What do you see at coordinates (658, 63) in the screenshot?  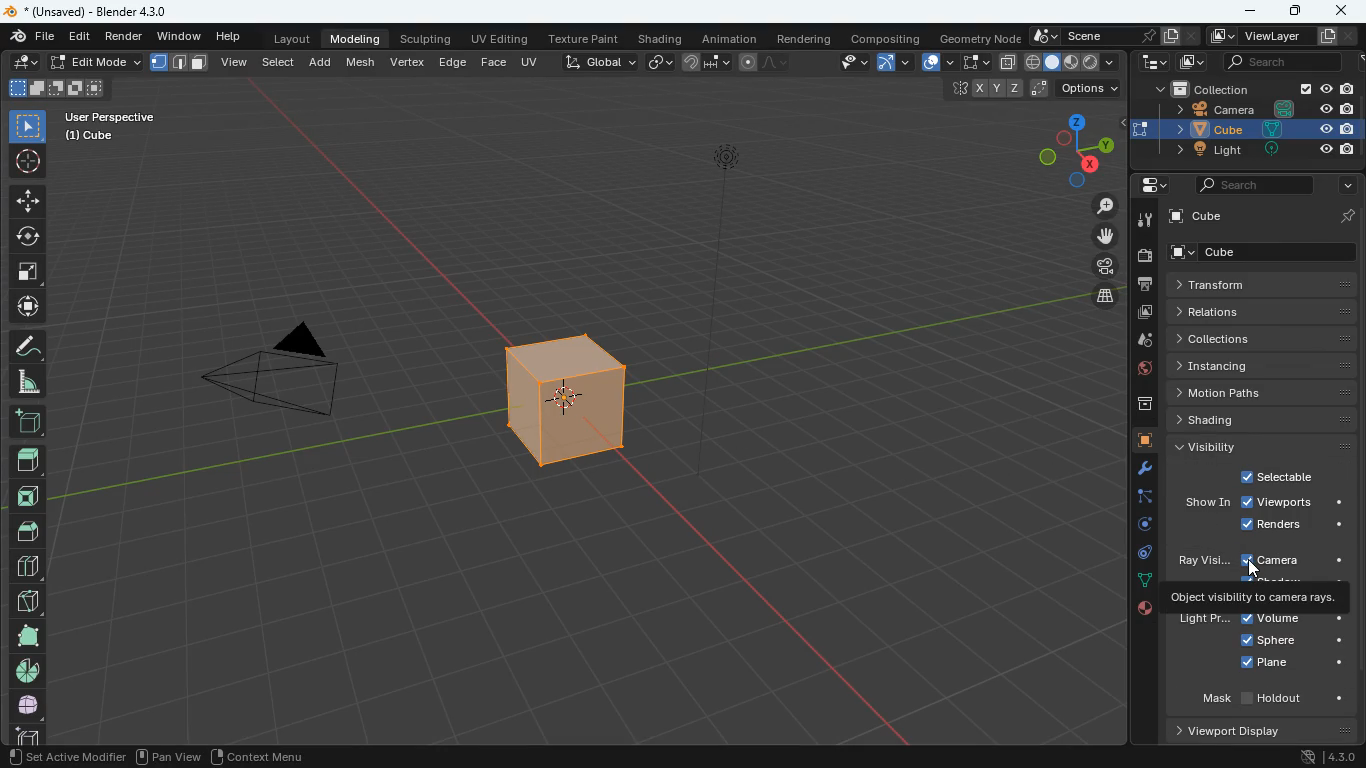 I see `link` at bounding box center [658, 63].